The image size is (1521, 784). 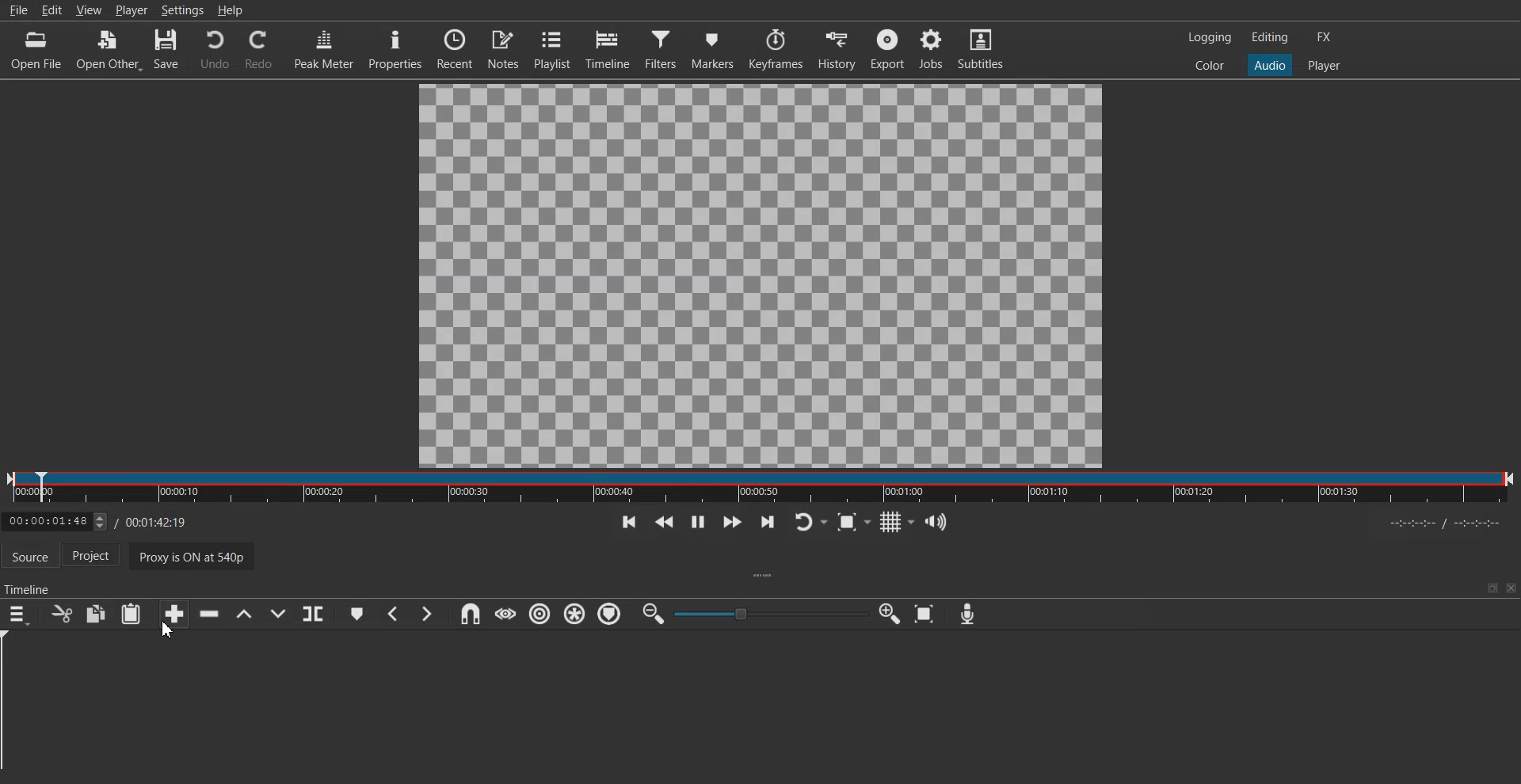 I want to click on Overwrite, so click(x=280, y=614).